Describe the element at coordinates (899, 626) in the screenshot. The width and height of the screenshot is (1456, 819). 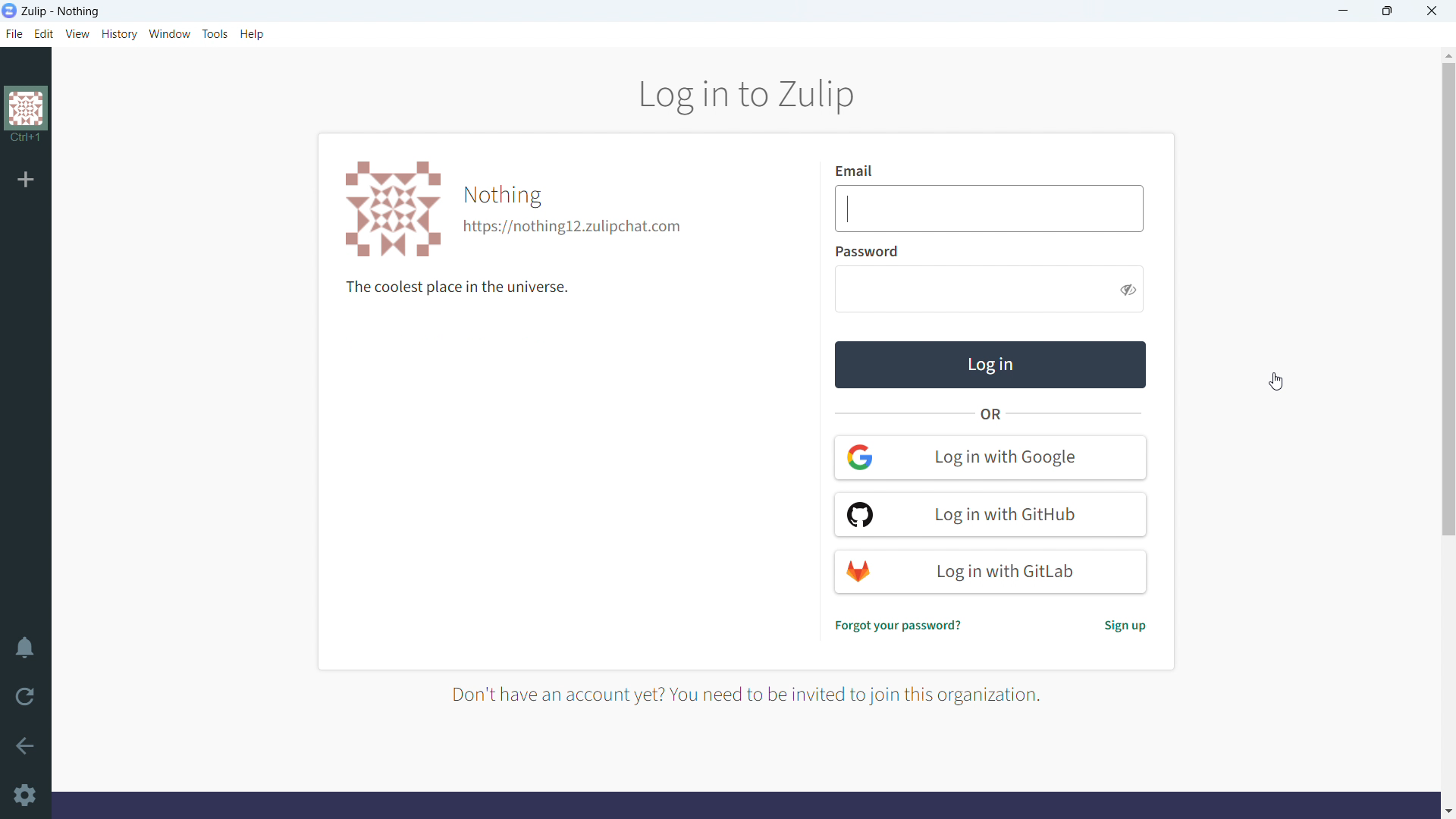
I see `forgot your password?` at that location.